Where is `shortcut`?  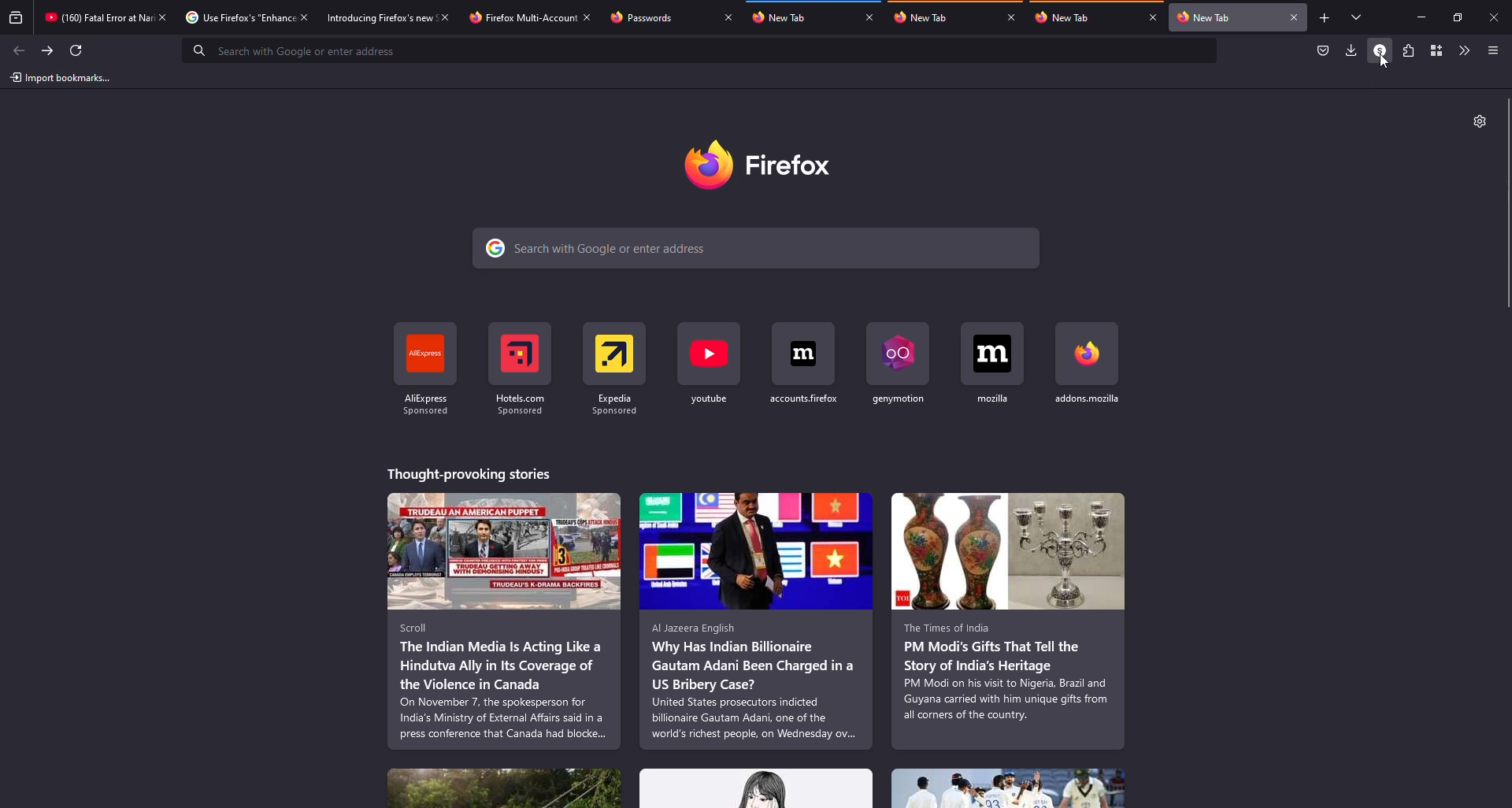
shortcut is located at coordinates (521, 368).